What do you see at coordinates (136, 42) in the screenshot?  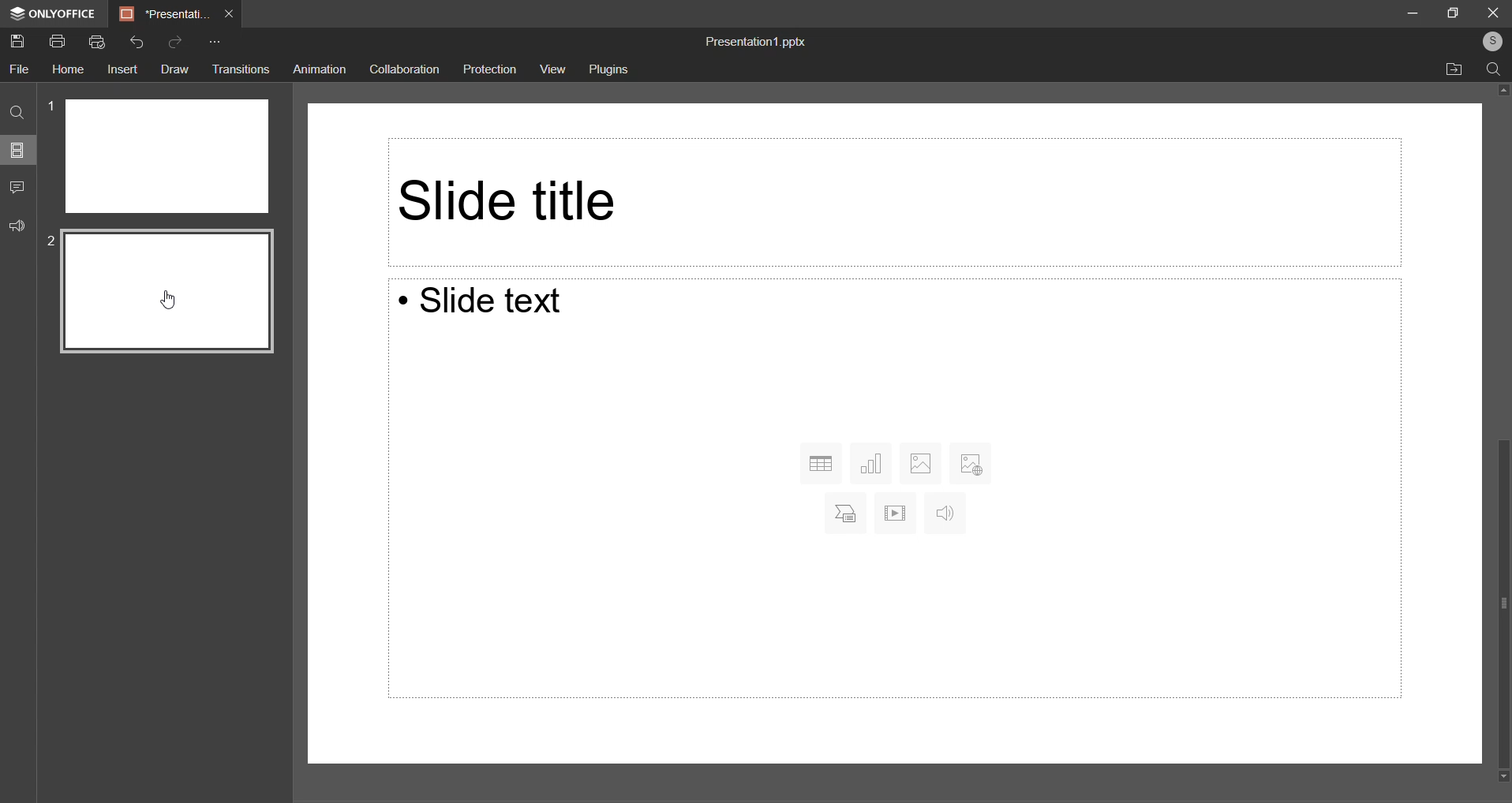 I see `Undo` at bounding box center [136, 42].